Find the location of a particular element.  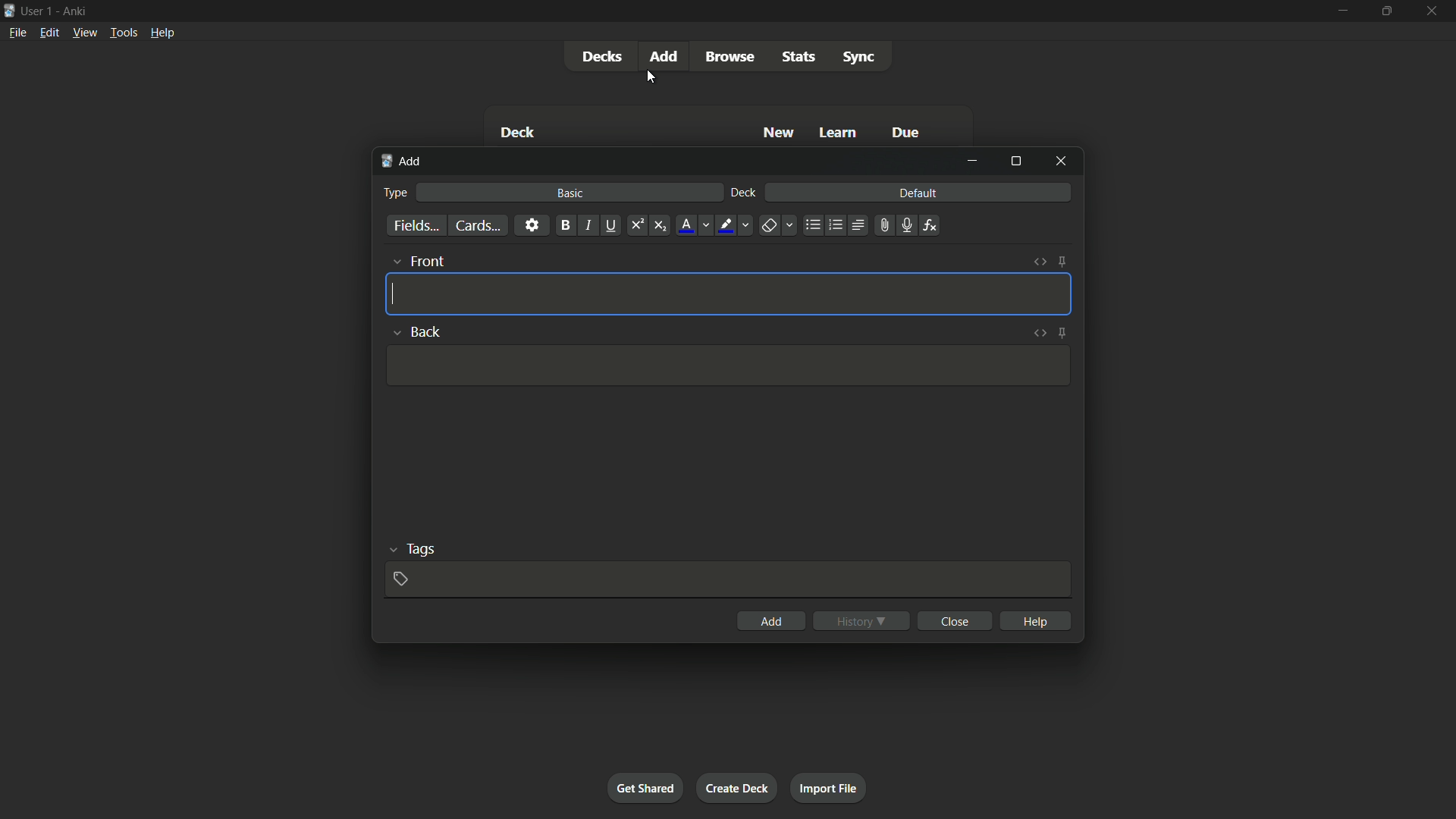

help is located at coordinates (1037, 620).